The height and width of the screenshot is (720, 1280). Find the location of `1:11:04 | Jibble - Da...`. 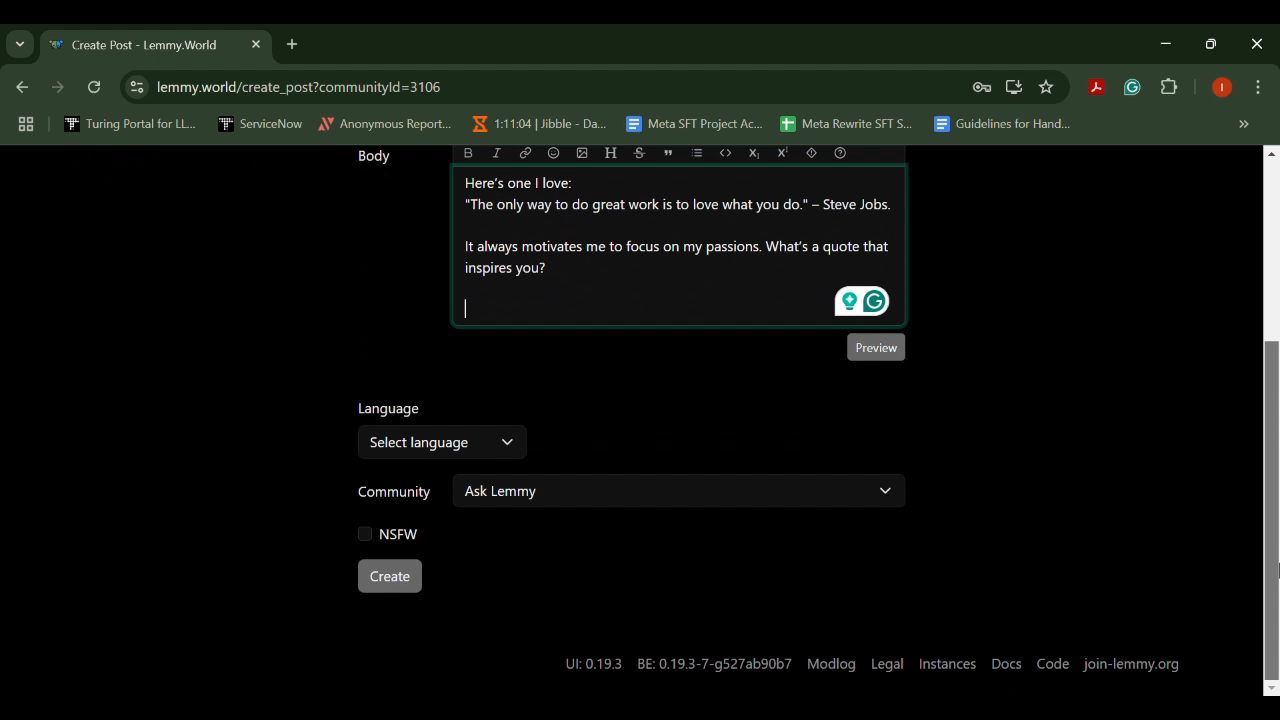

1:11:04 | Jibble - Da... is located at coordinates (538, 124).